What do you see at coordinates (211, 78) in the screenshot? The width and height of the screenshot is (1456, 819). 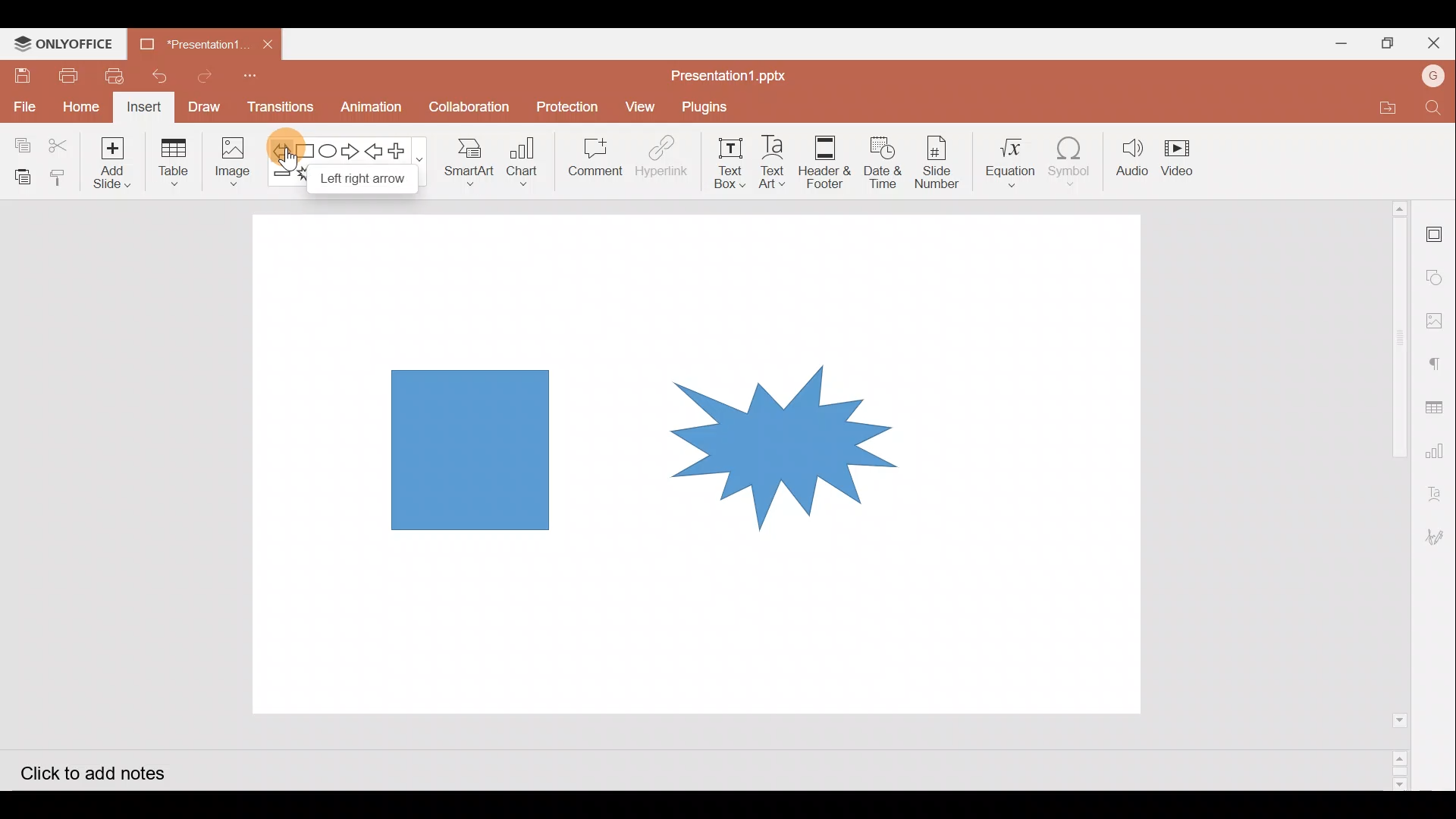 I see `Redo` at bounding box center [211, 78].